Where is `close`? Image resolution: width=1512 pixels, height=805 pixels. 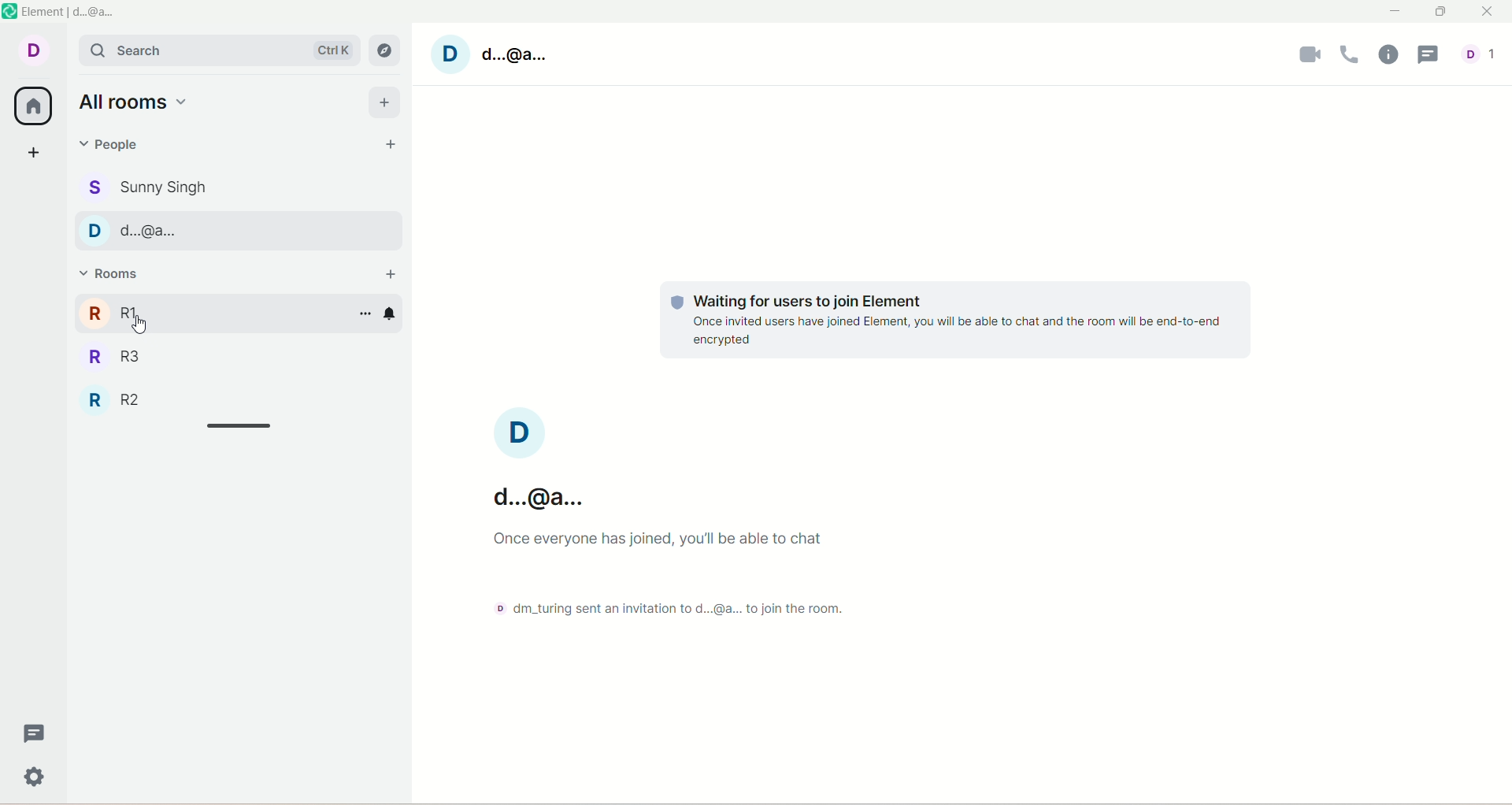 close is located at coordinates (1490, 13).